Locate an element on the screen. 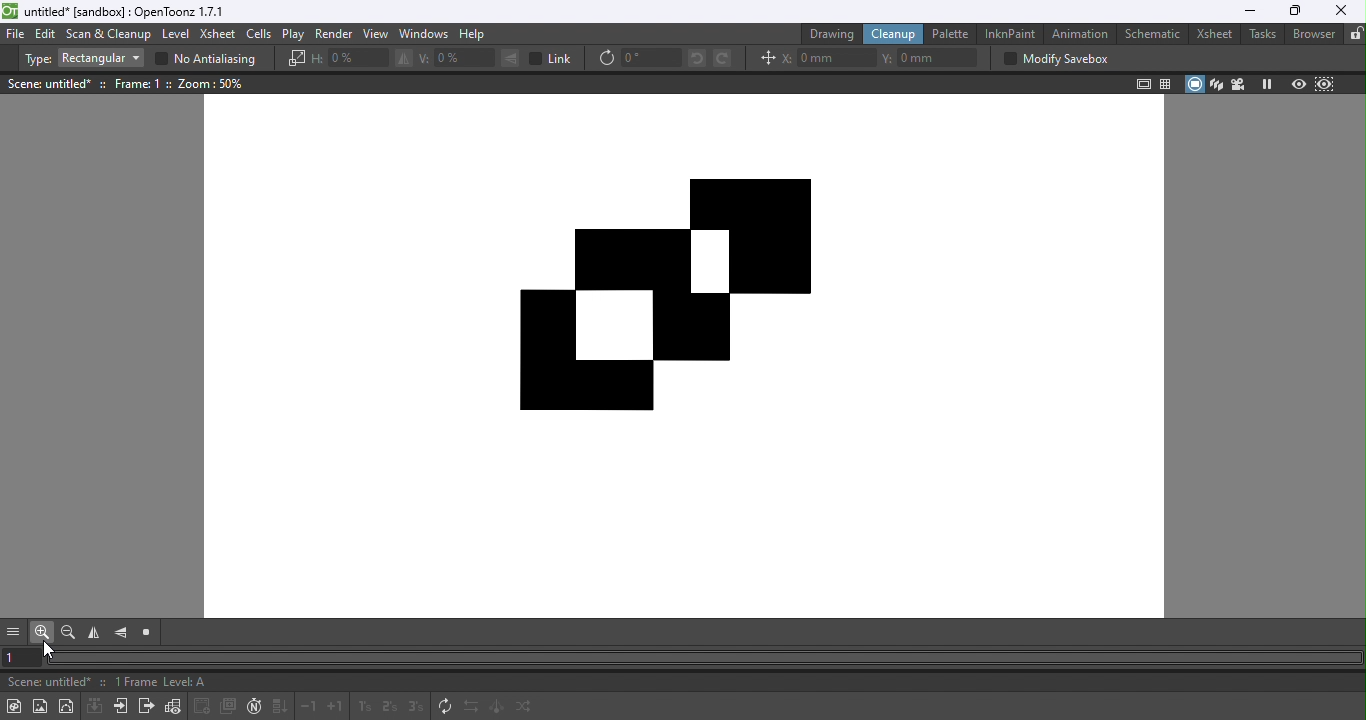 This screenshot has width=1366, height=720. Y-axis is located at coordinates (931, 56).